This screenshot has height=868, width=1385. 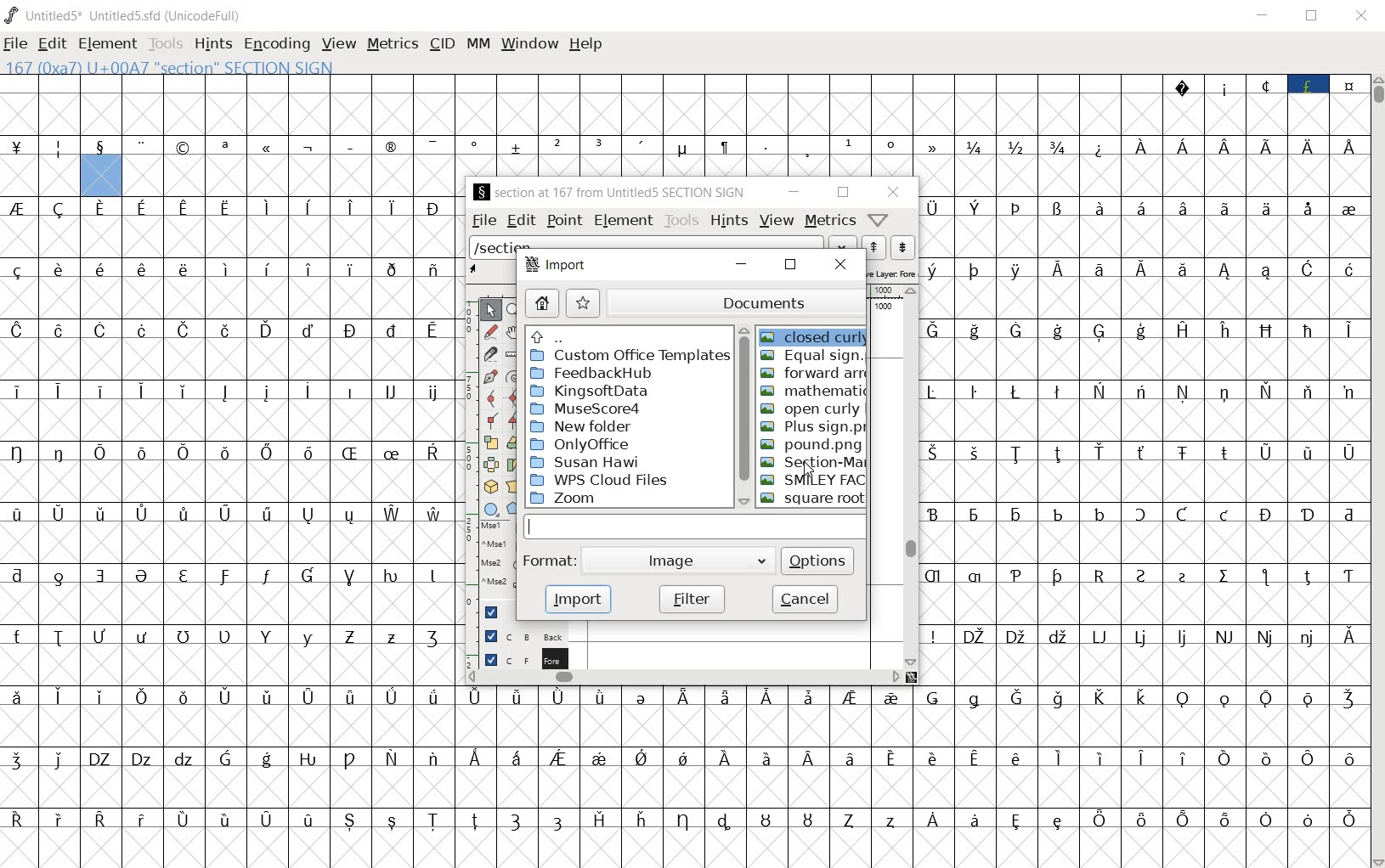 What do you see at coordinates (1145, 481) in the screenshot?
I see `its working same as usual for me` at bounding box center [1145, 481].